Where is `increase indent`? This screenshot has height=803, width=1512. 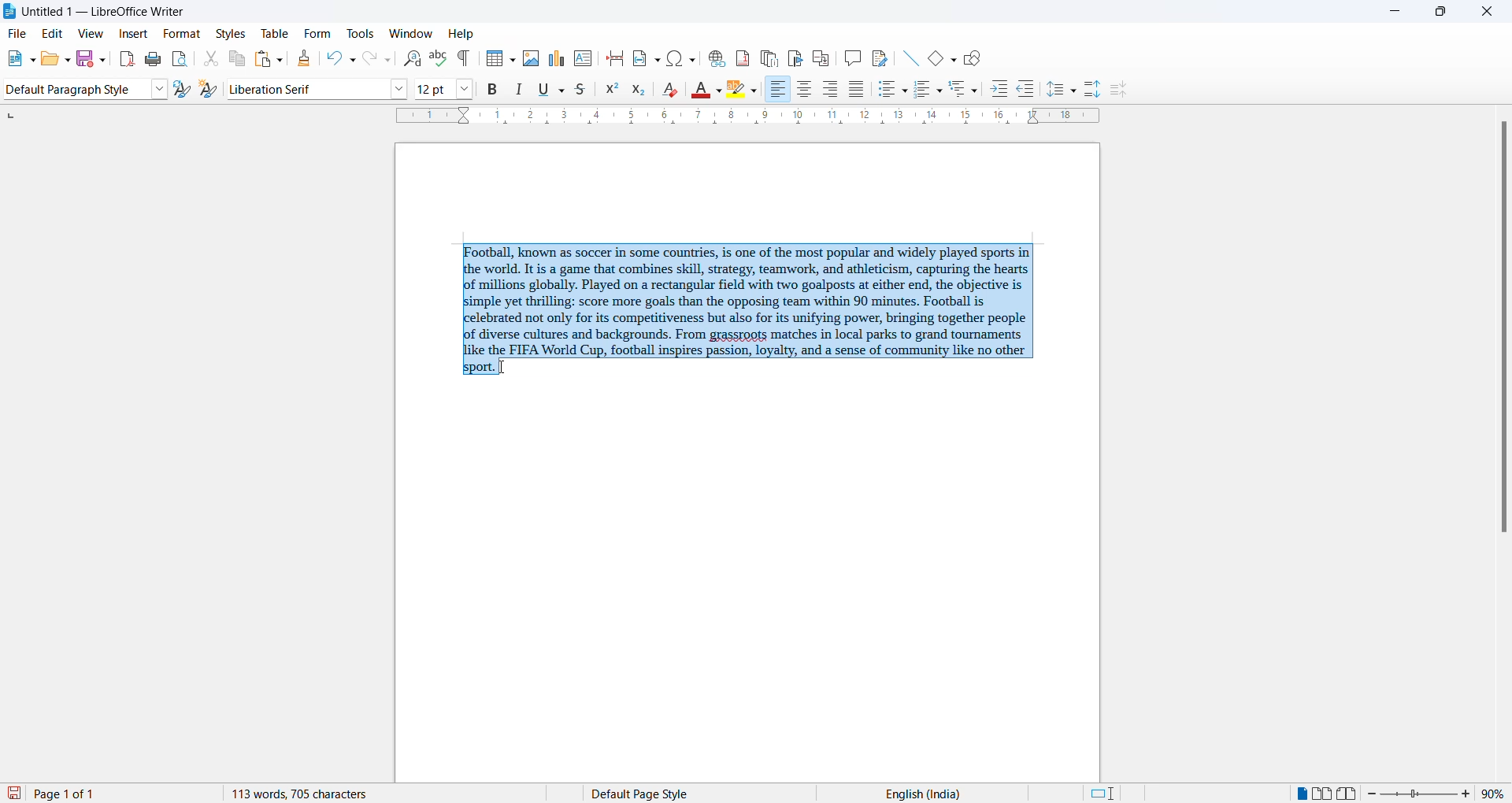
increase indent is located at coordinates (1000, 88).